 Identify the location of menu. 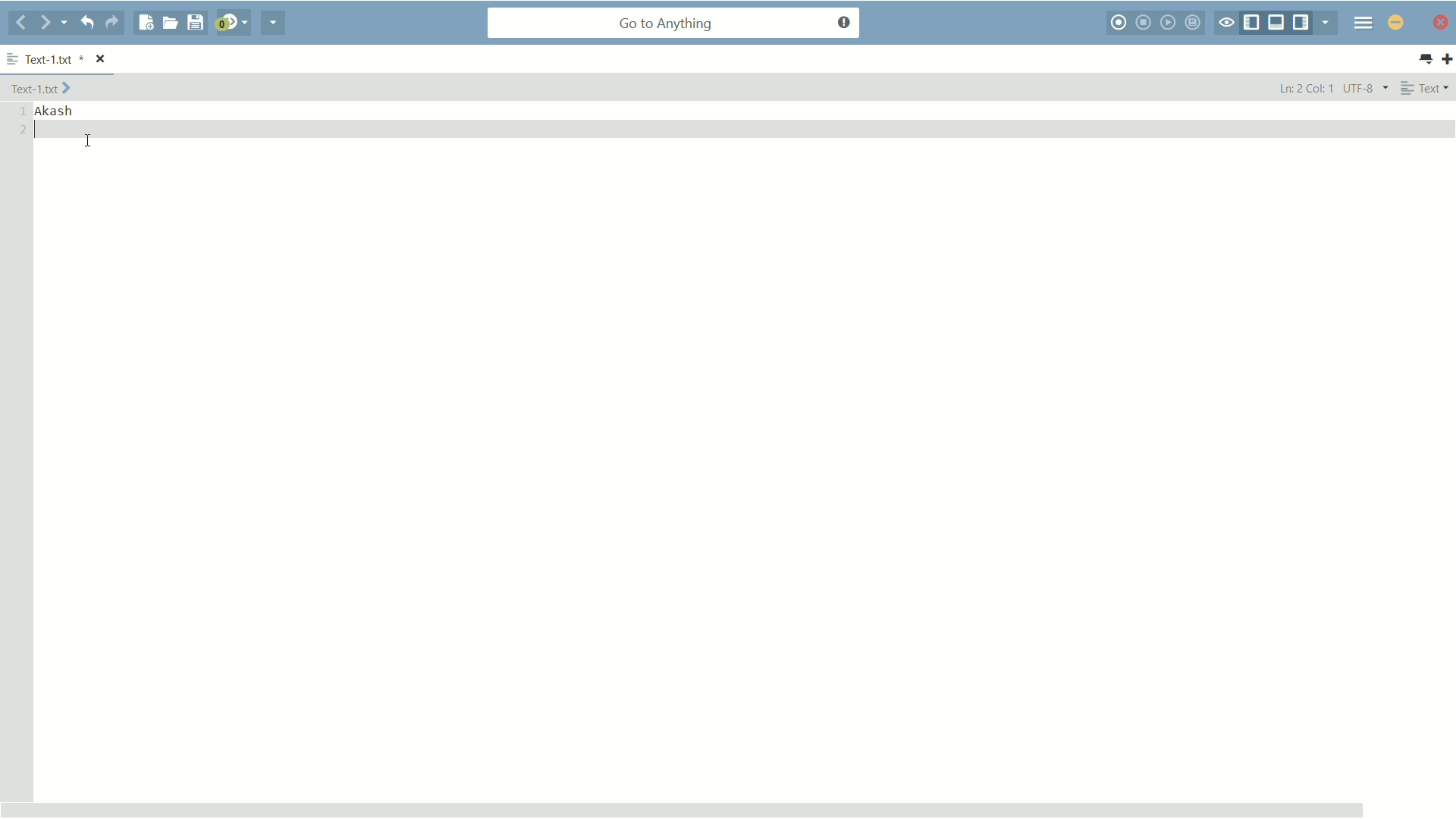
(1363, 24).